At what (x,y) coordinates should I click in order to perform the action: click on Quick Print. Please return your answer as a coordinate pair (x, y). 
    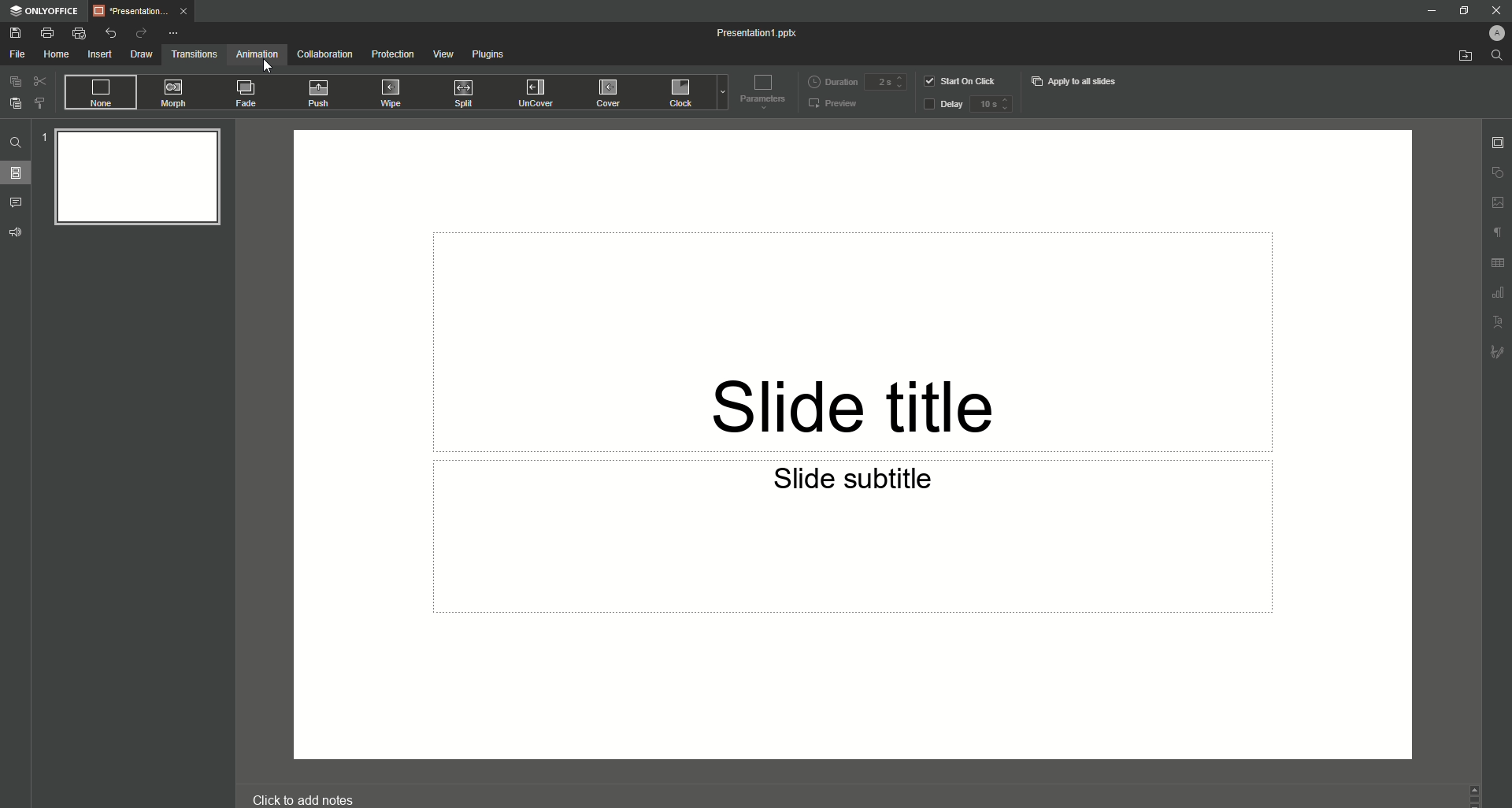
    Looking at the image, I should click on (78, 33).